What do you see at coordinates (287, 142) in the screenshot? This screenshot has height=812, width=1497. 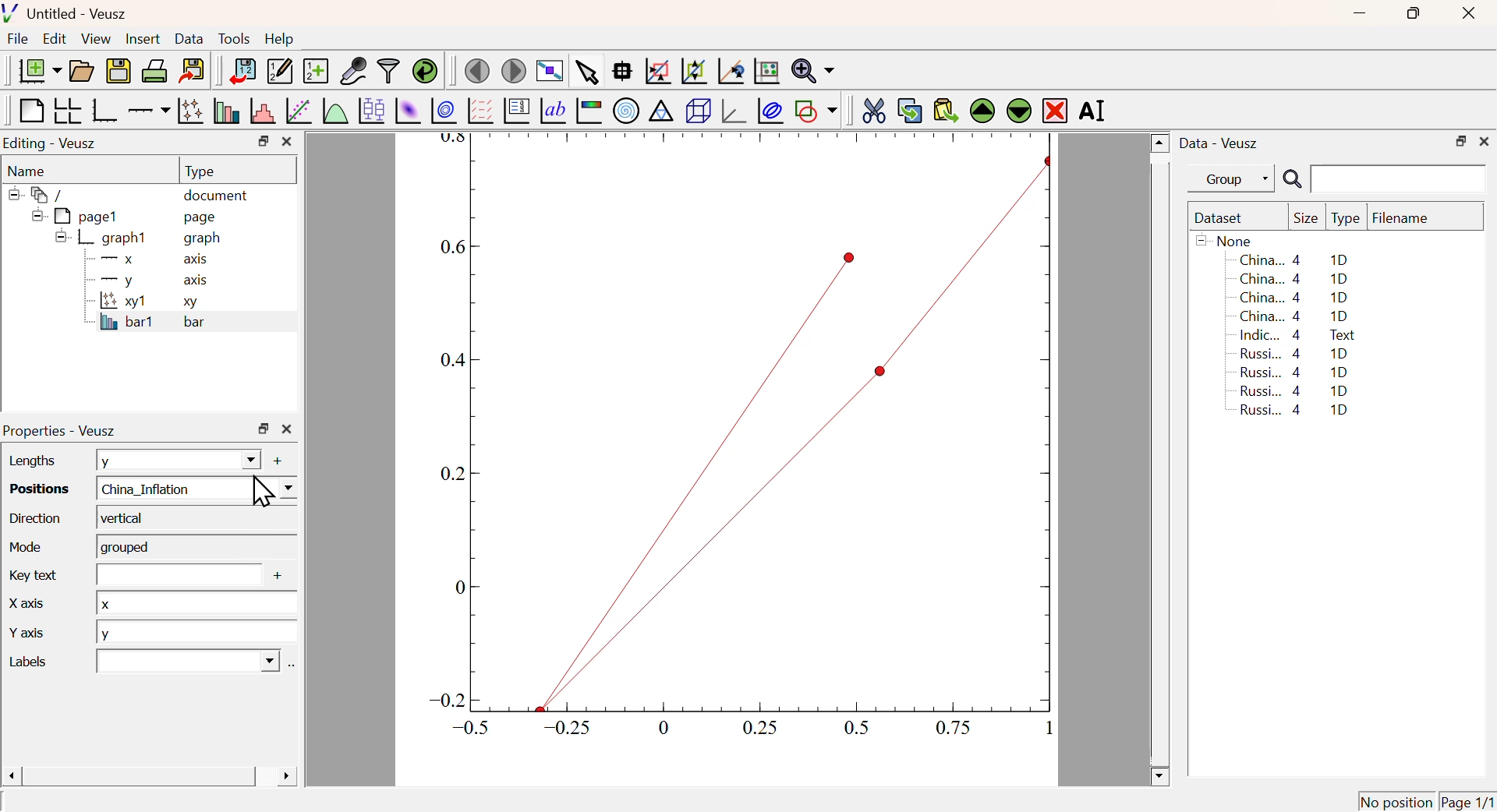 I see `Close` at bounding box center [287, 142].